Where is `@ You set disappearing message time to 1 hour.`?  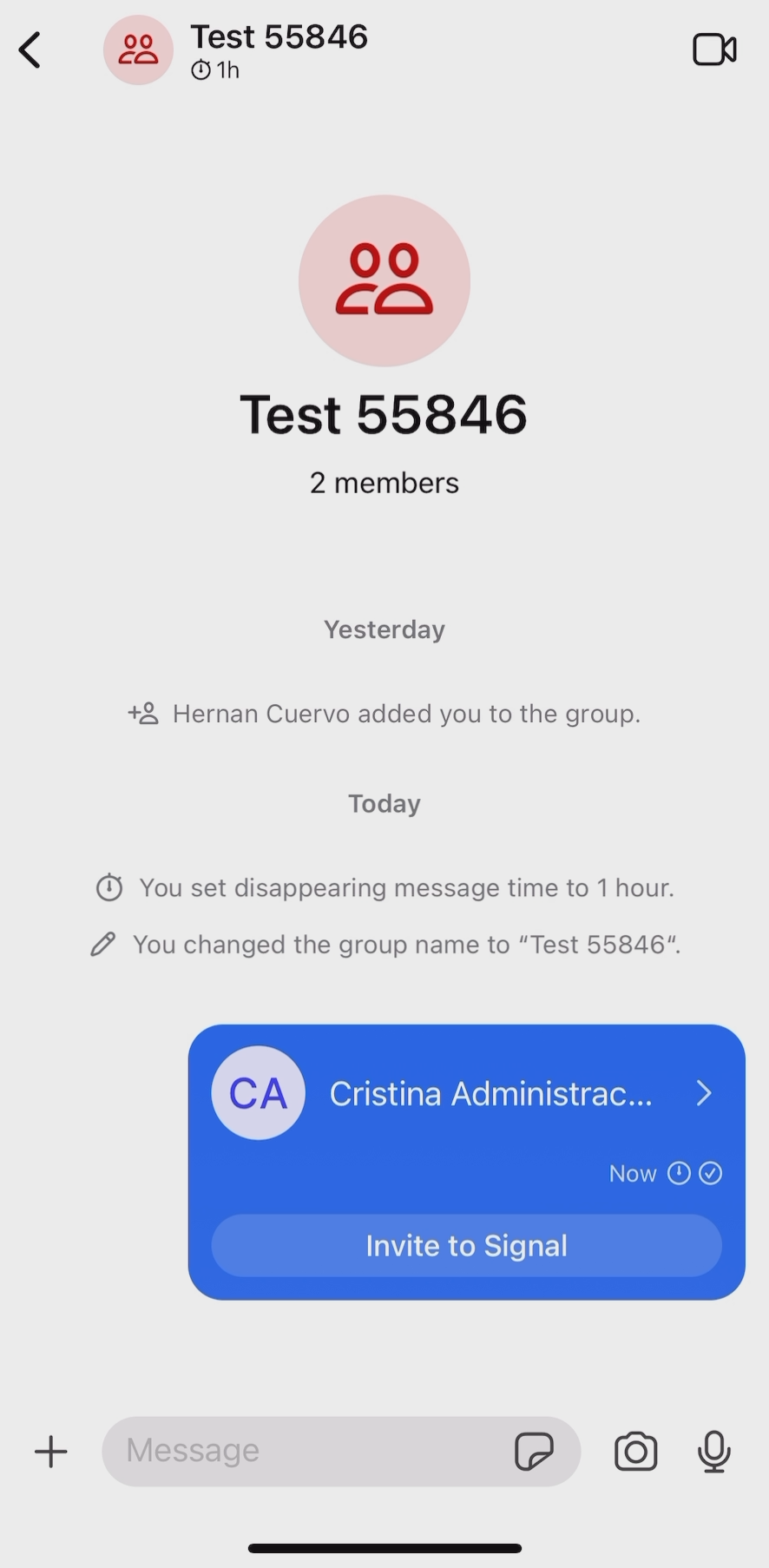 @ You set disappearing message time to 1 hour. is located at coordinates (384, 877).